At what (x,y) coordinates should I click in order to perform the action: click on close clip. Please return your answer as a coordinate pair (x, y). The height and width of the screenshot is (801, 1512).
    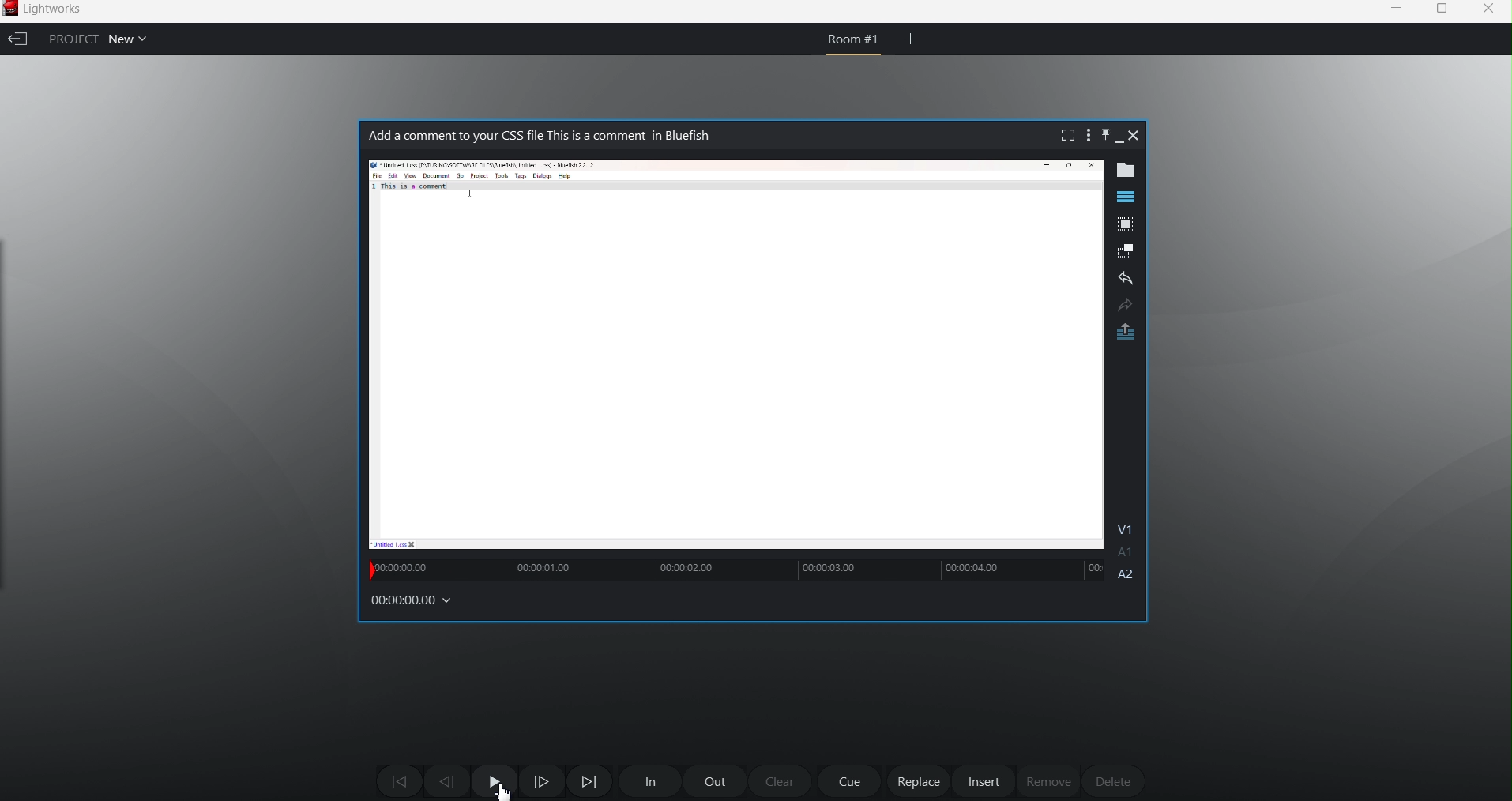
    Looking at the image, I should click on (1135, 135).